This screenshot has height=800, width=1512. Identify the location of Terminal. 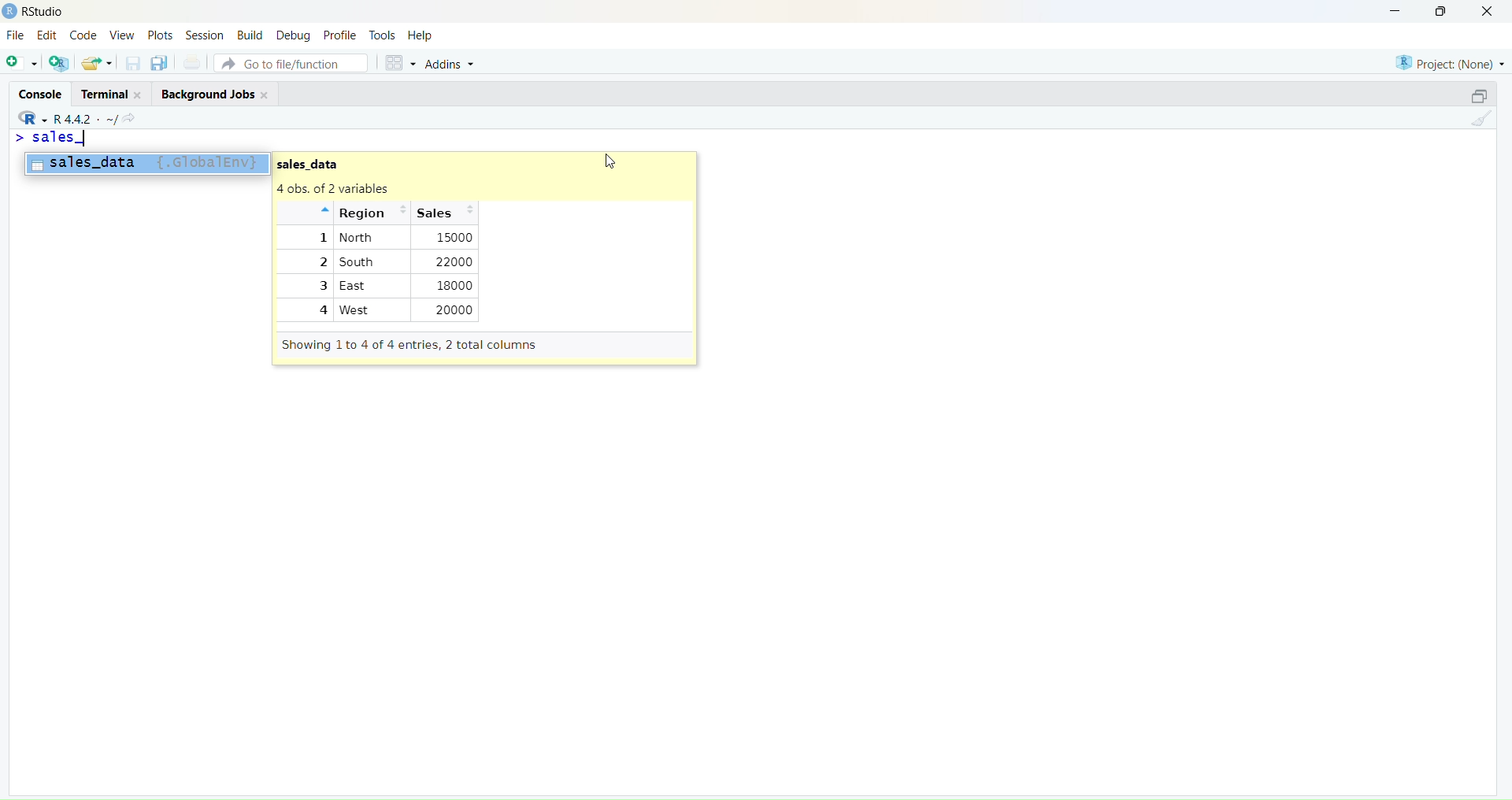
(108, 93).